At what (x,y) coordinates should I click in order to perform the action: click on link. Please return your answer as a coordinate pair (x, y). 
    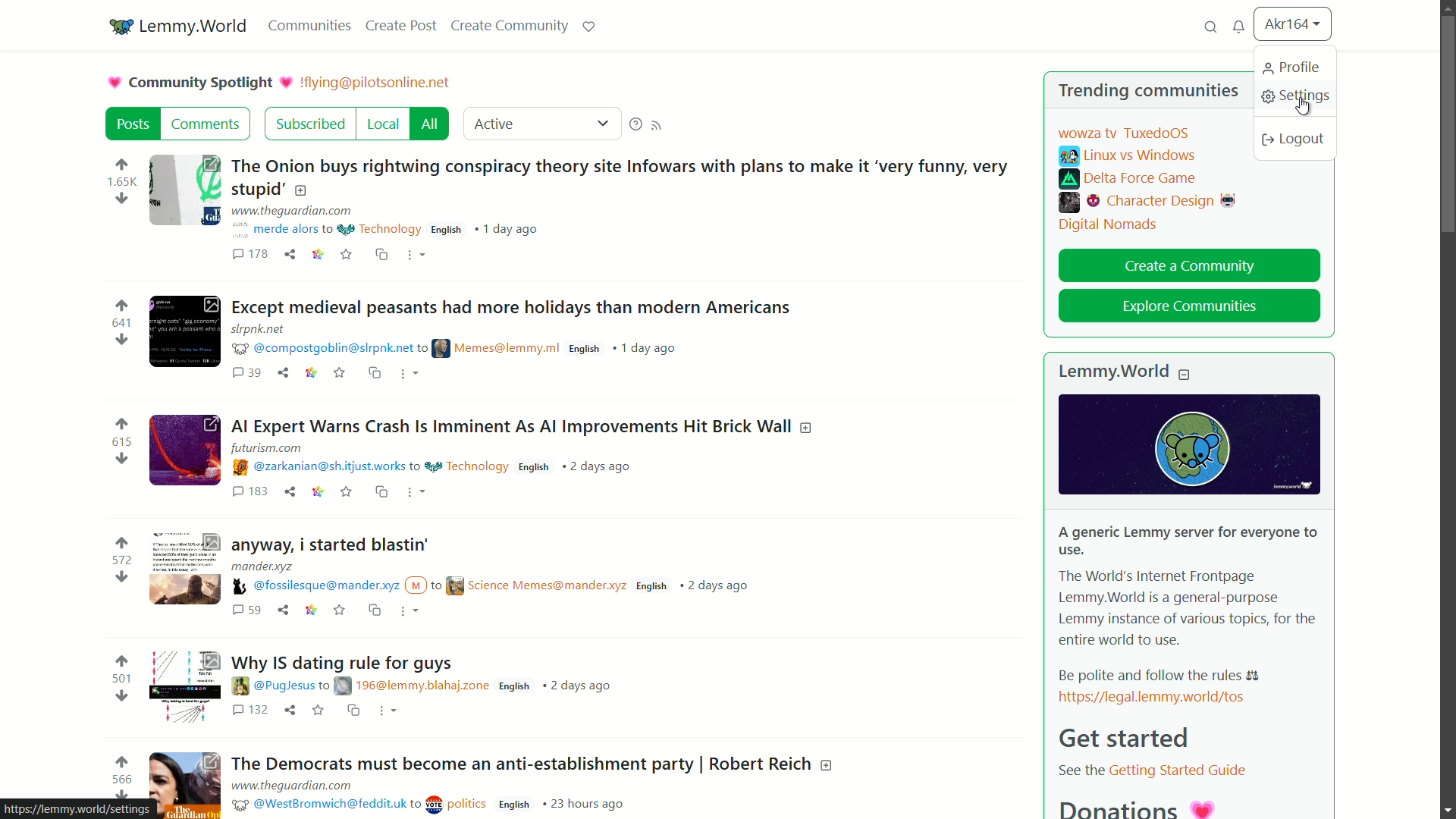
    Looking at the image, I should click on (309, 610).